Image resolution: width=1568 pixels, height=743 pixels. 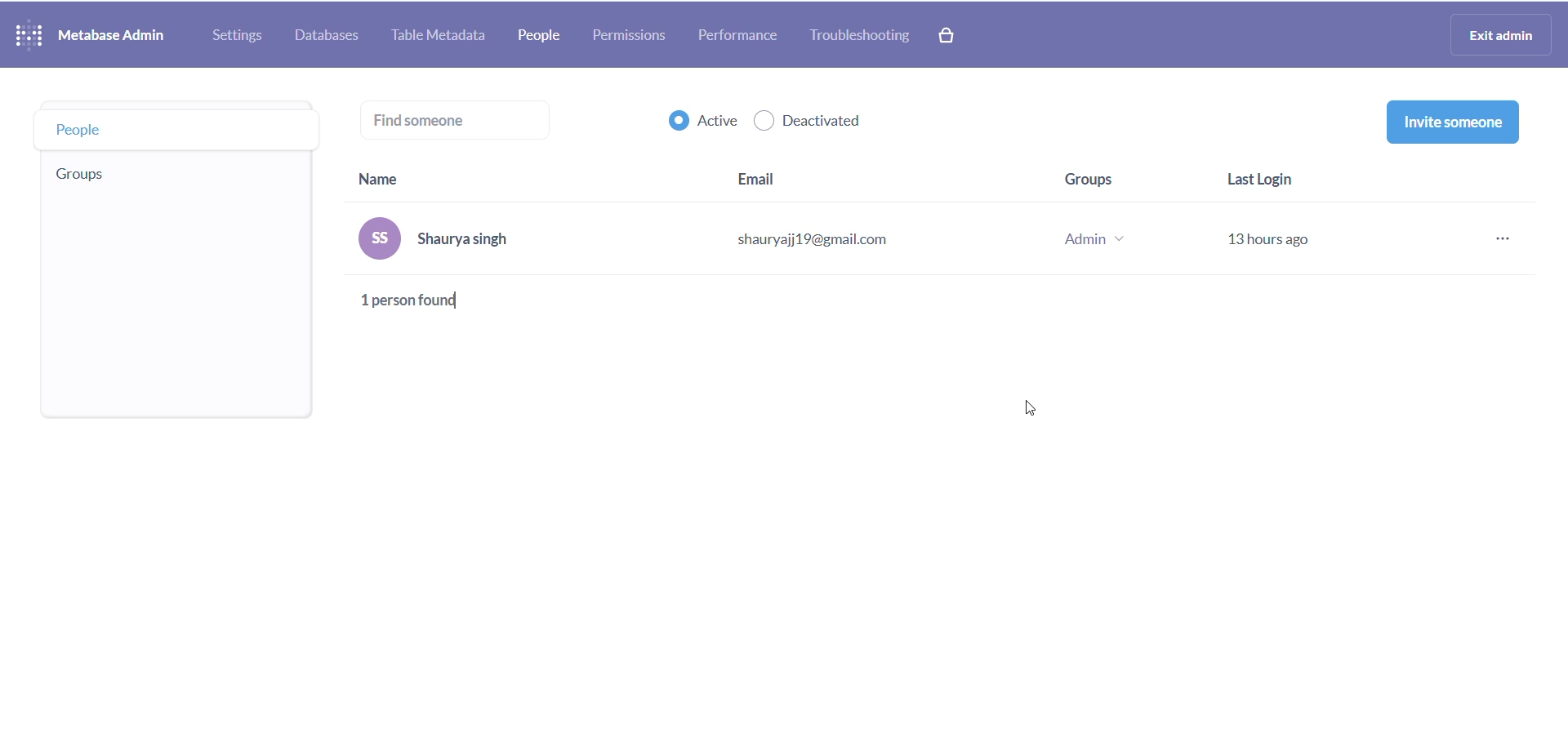 I want to click on active checkbox, so click(x=700, y=122).